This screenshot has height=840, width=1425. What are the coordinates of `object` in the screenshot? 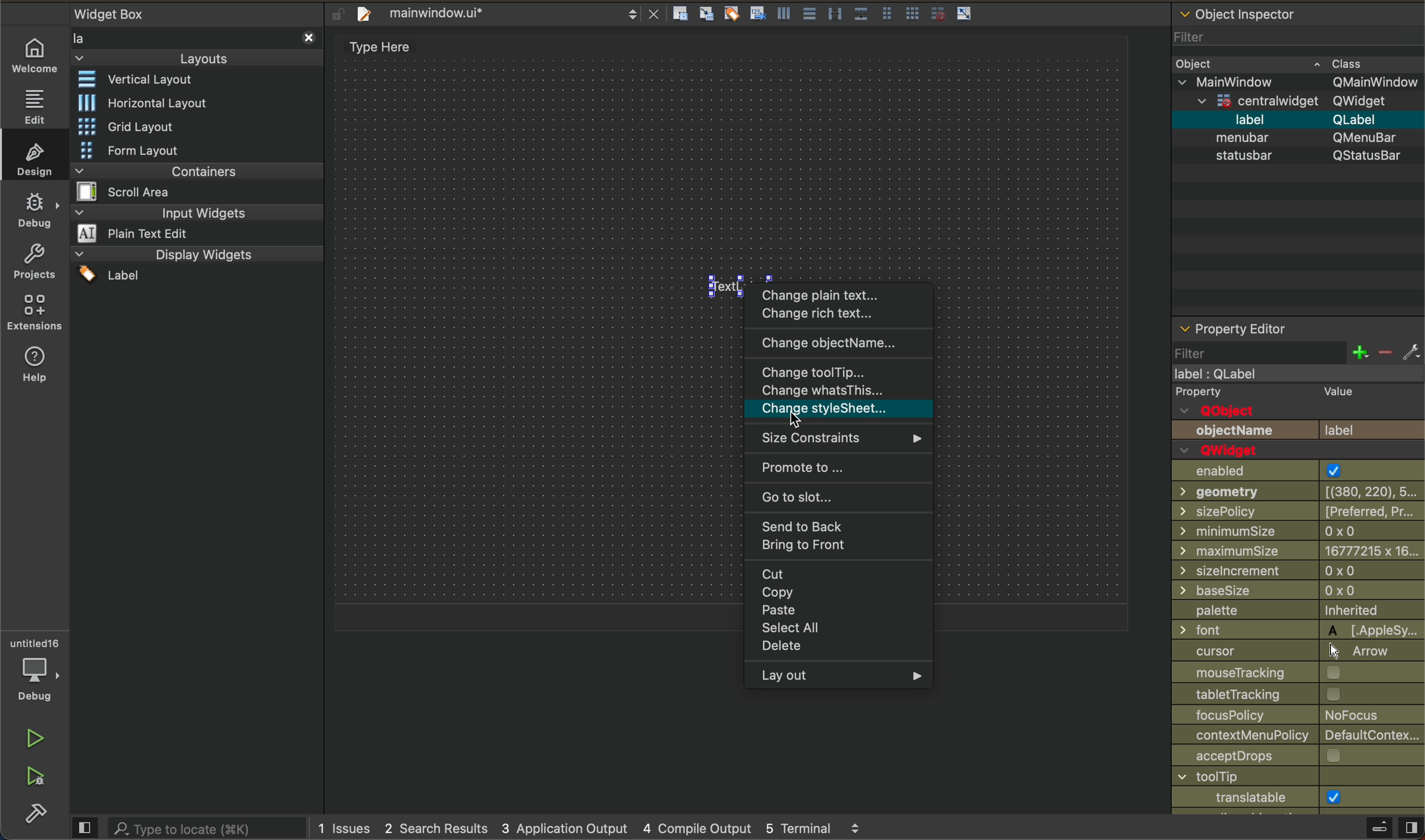 It's located at (1274, 63).